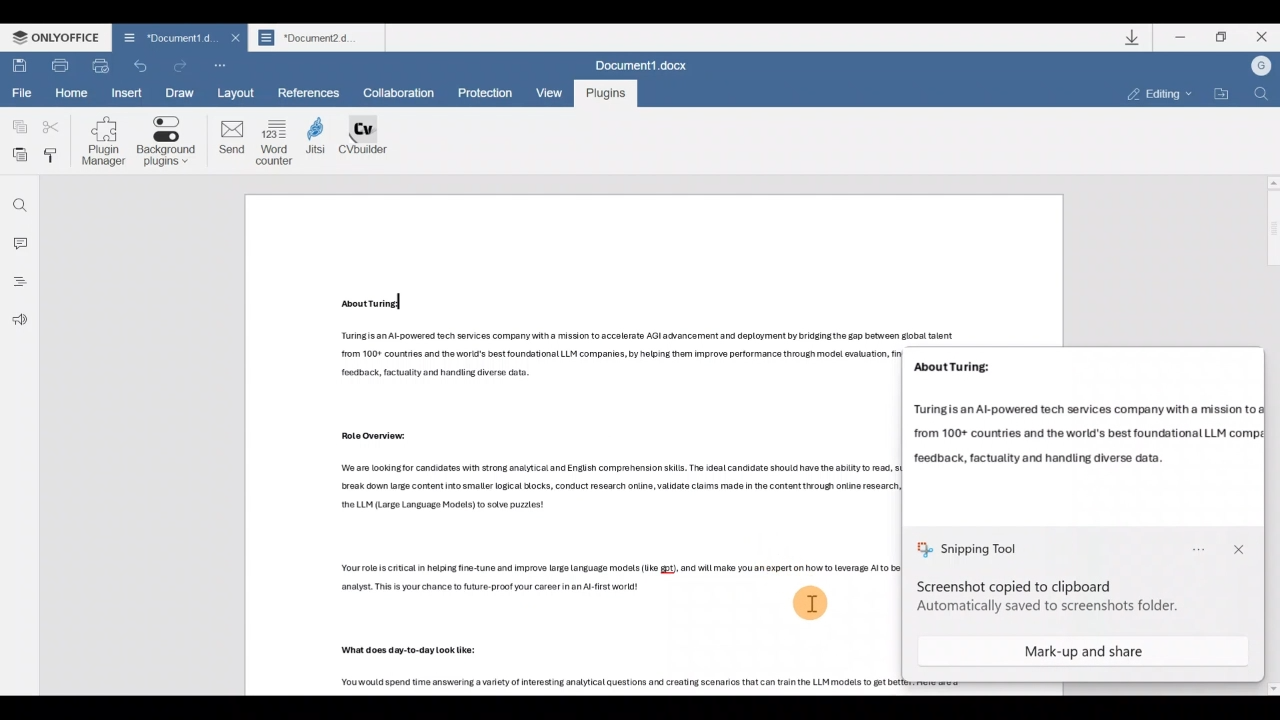 The height and width of the screenshot is (720, 1280). I want to click on Draw, so click(179, 90).